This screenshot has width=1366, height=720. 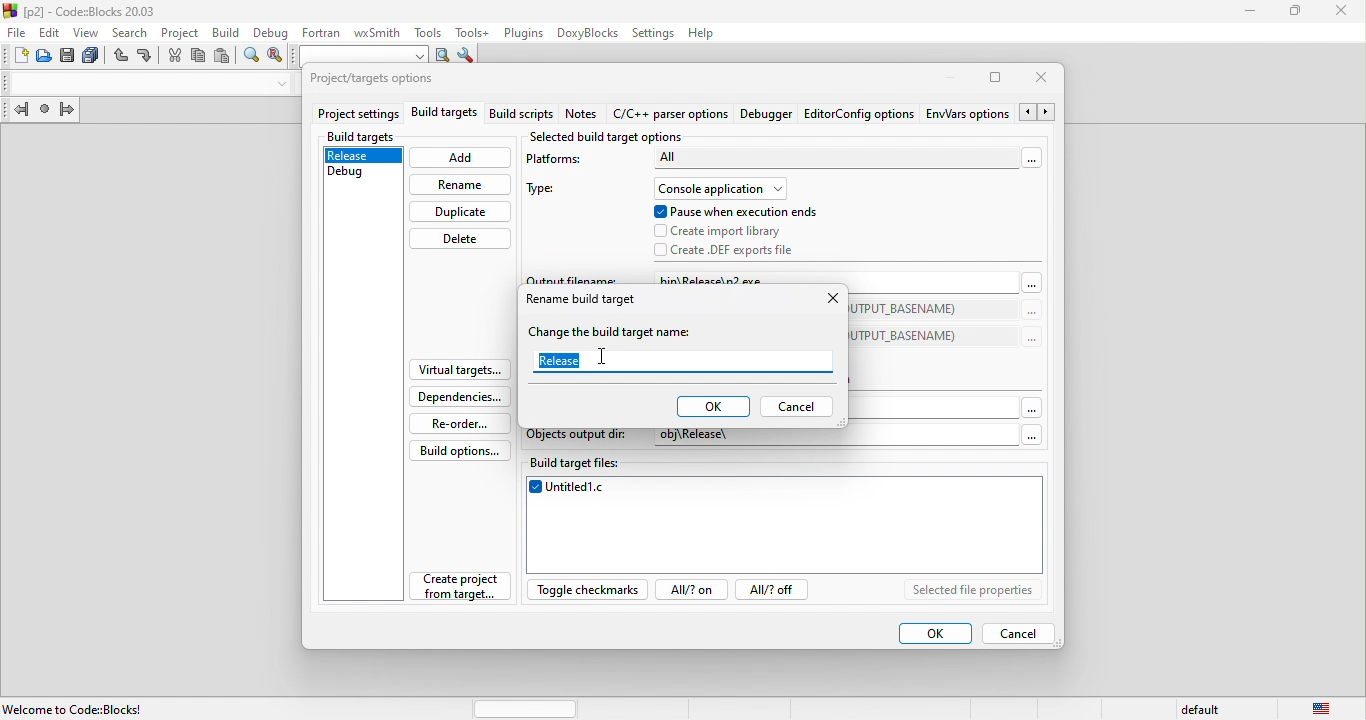 What do you see at coordinates (466, 57) in the screenshot?
I see `show options window` at bounding box center [466, 57].